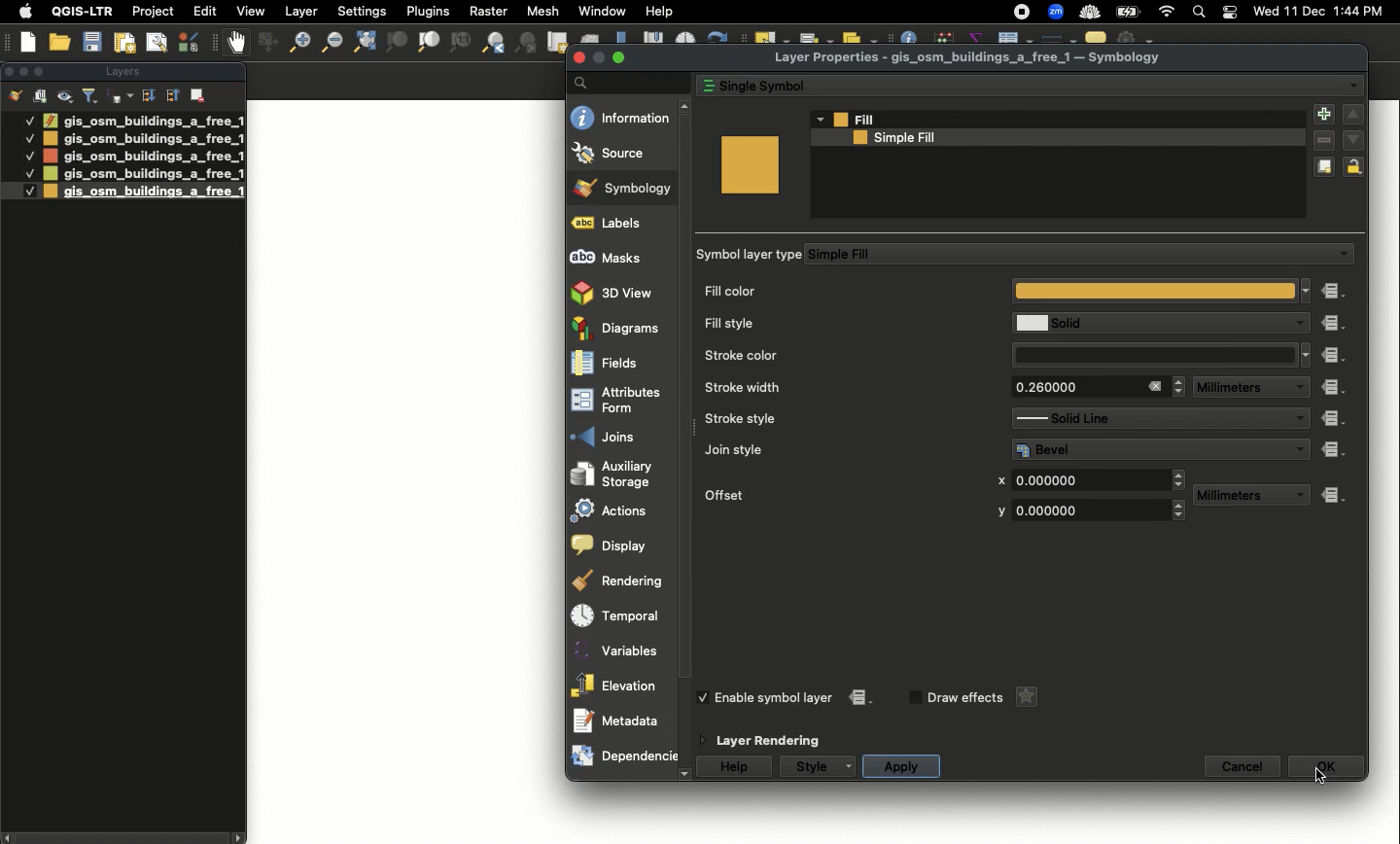  What do you see at coordinates (1024, 697) in the screenshot?
I see `Star` at bounding box center [1024, 697].